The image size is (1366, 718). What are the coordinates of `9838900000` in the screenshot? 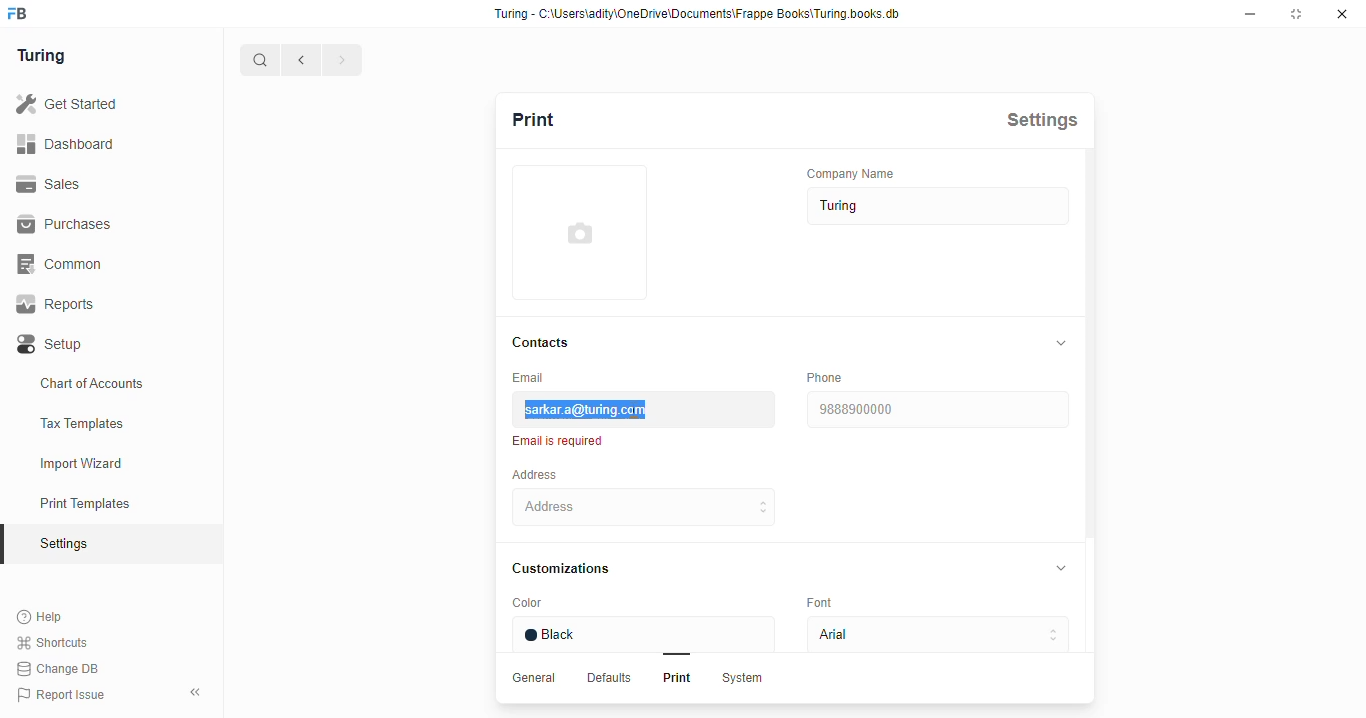 It's located at (939, 409).